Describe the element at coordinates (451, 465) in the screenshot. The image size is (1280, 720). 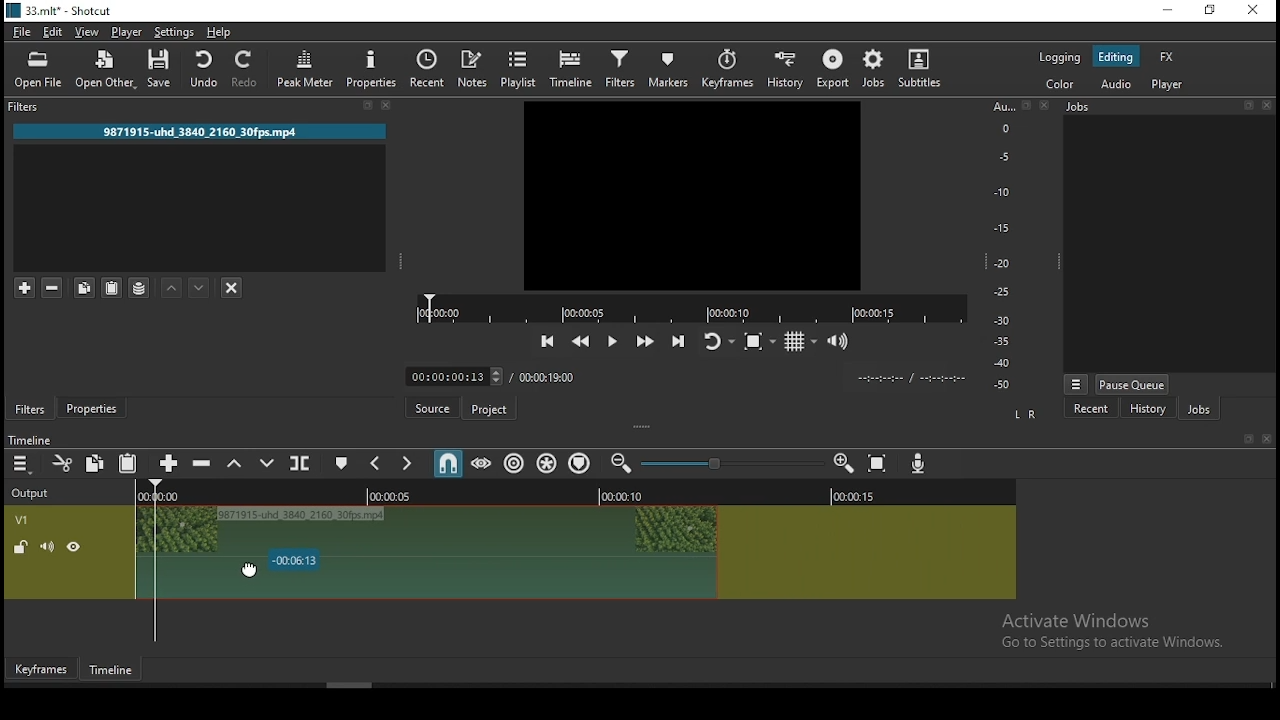
I see `snap` at that location.